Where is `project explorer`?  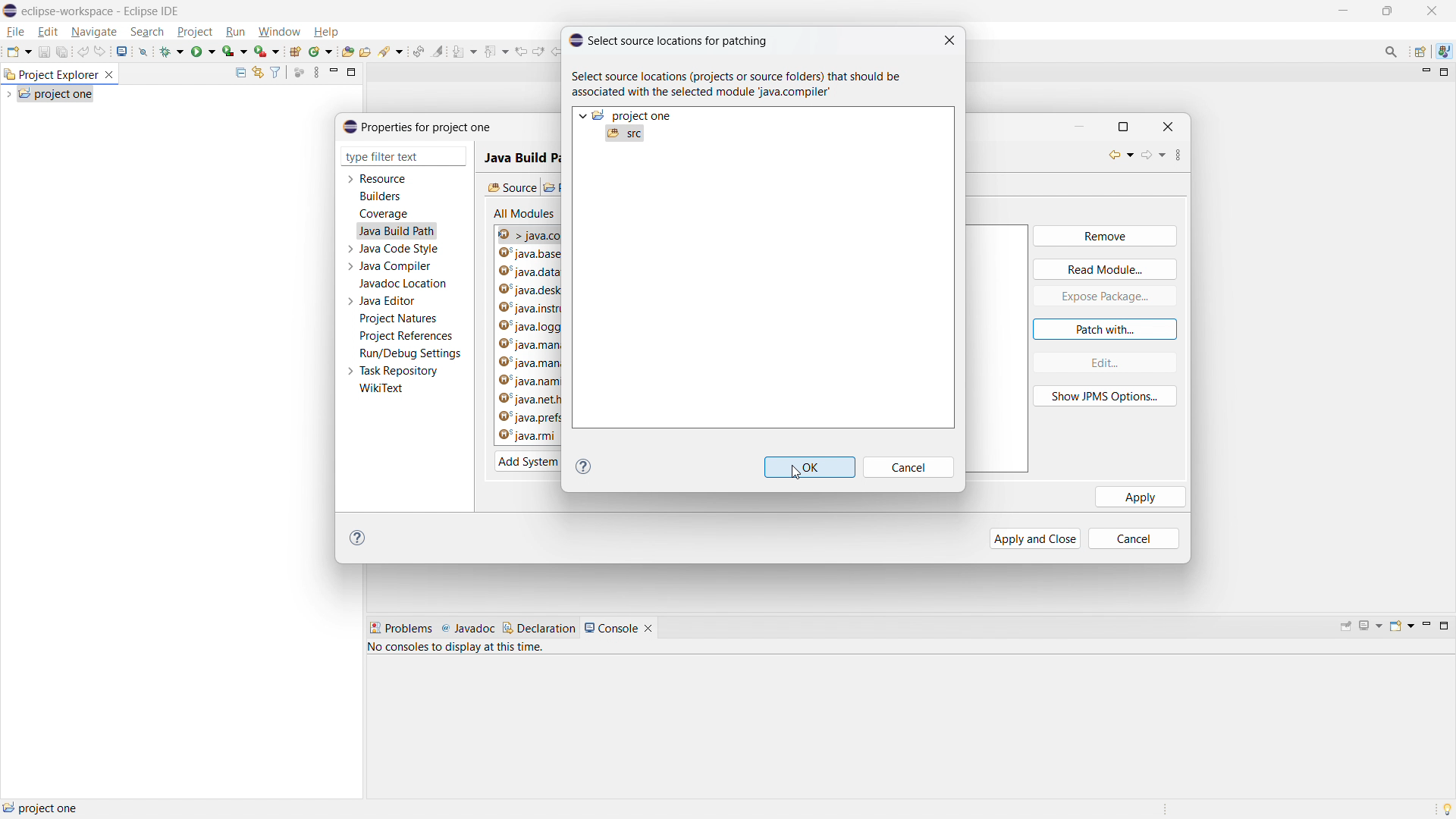
project explorer is located at coordinates (50, 74).